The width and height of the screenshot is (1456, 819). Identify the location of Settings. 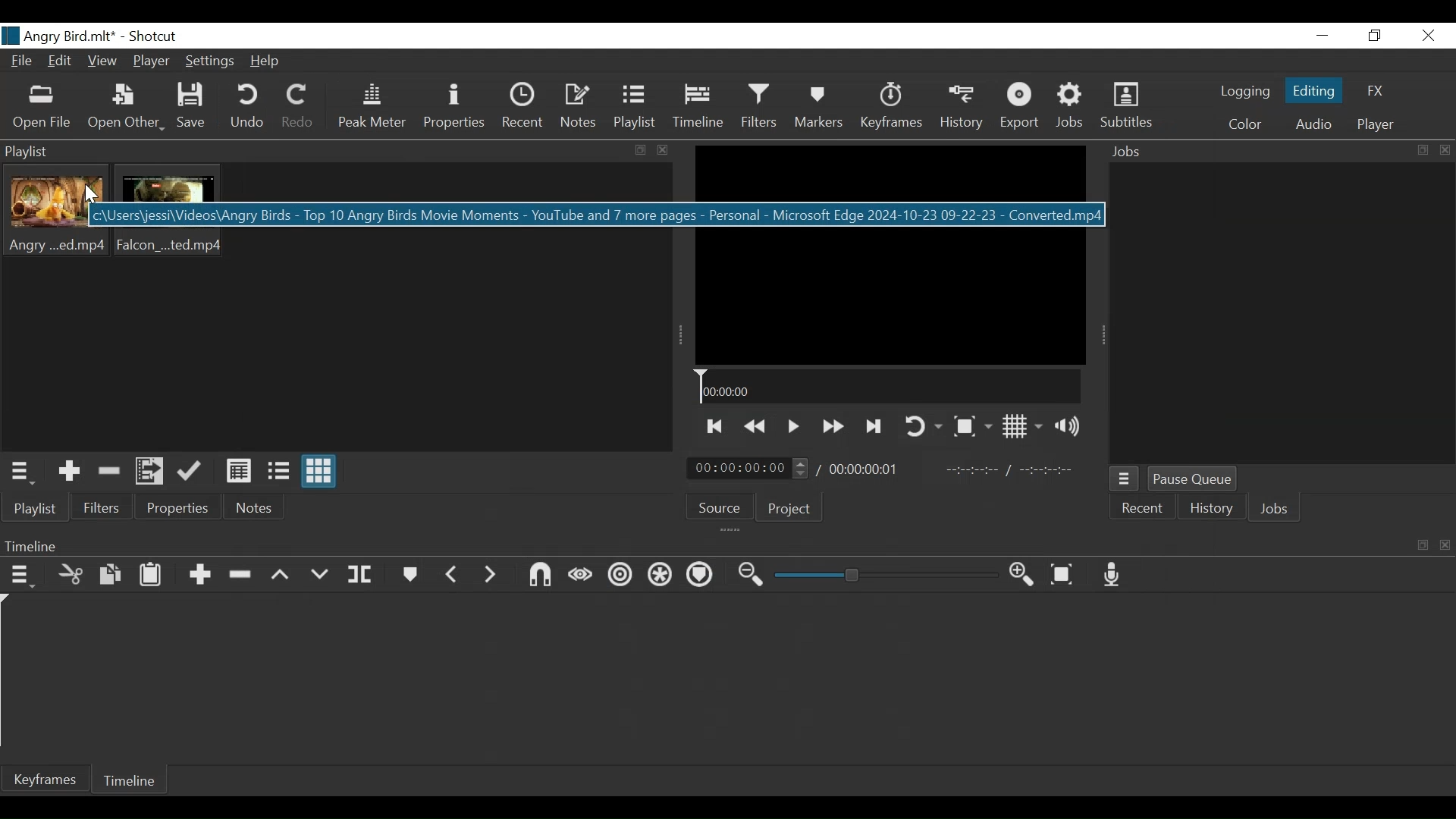
(212, 62).